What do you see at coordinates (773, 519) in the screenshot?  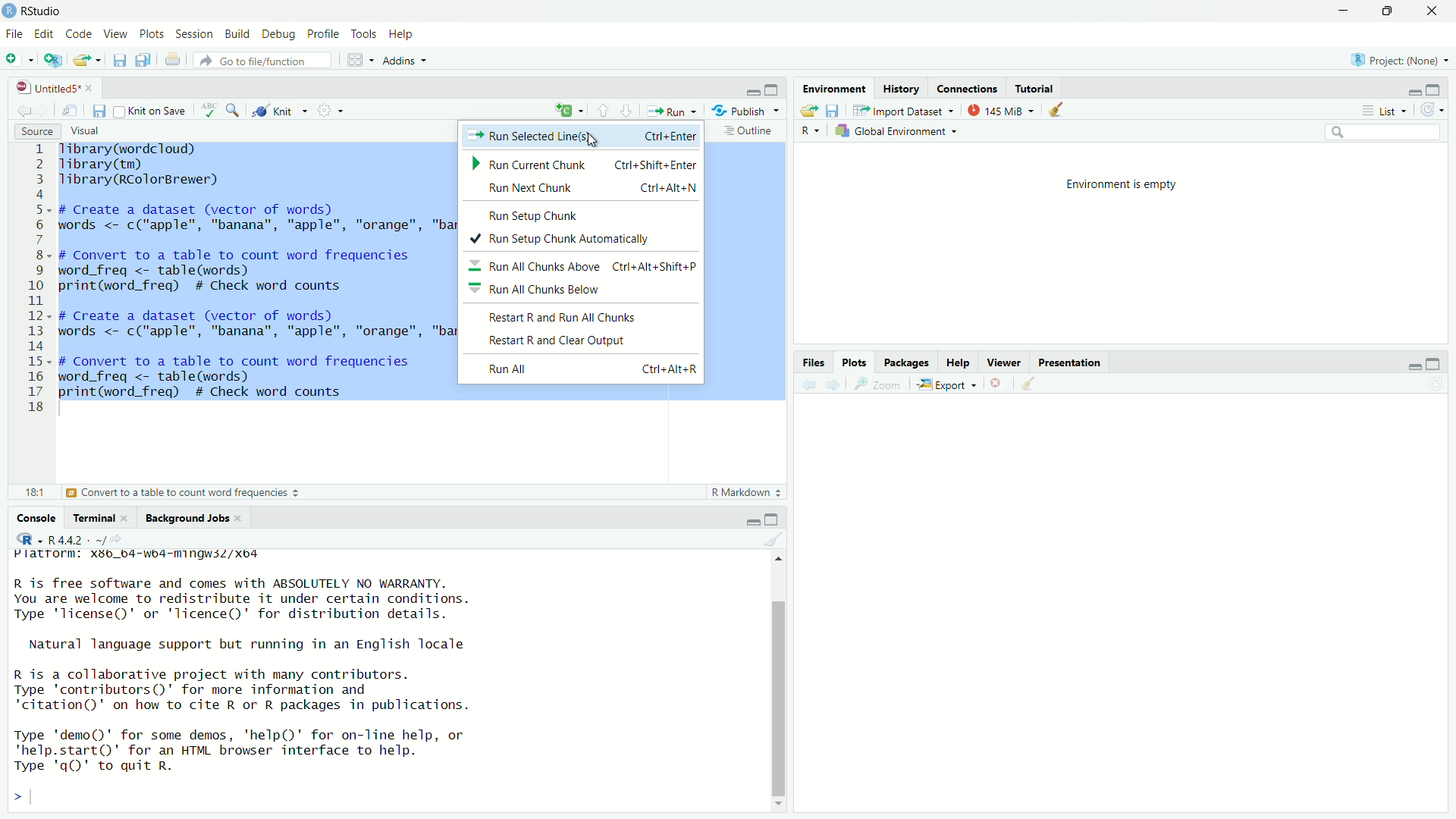 I see `Maximize` at bounding box center [773, 519].